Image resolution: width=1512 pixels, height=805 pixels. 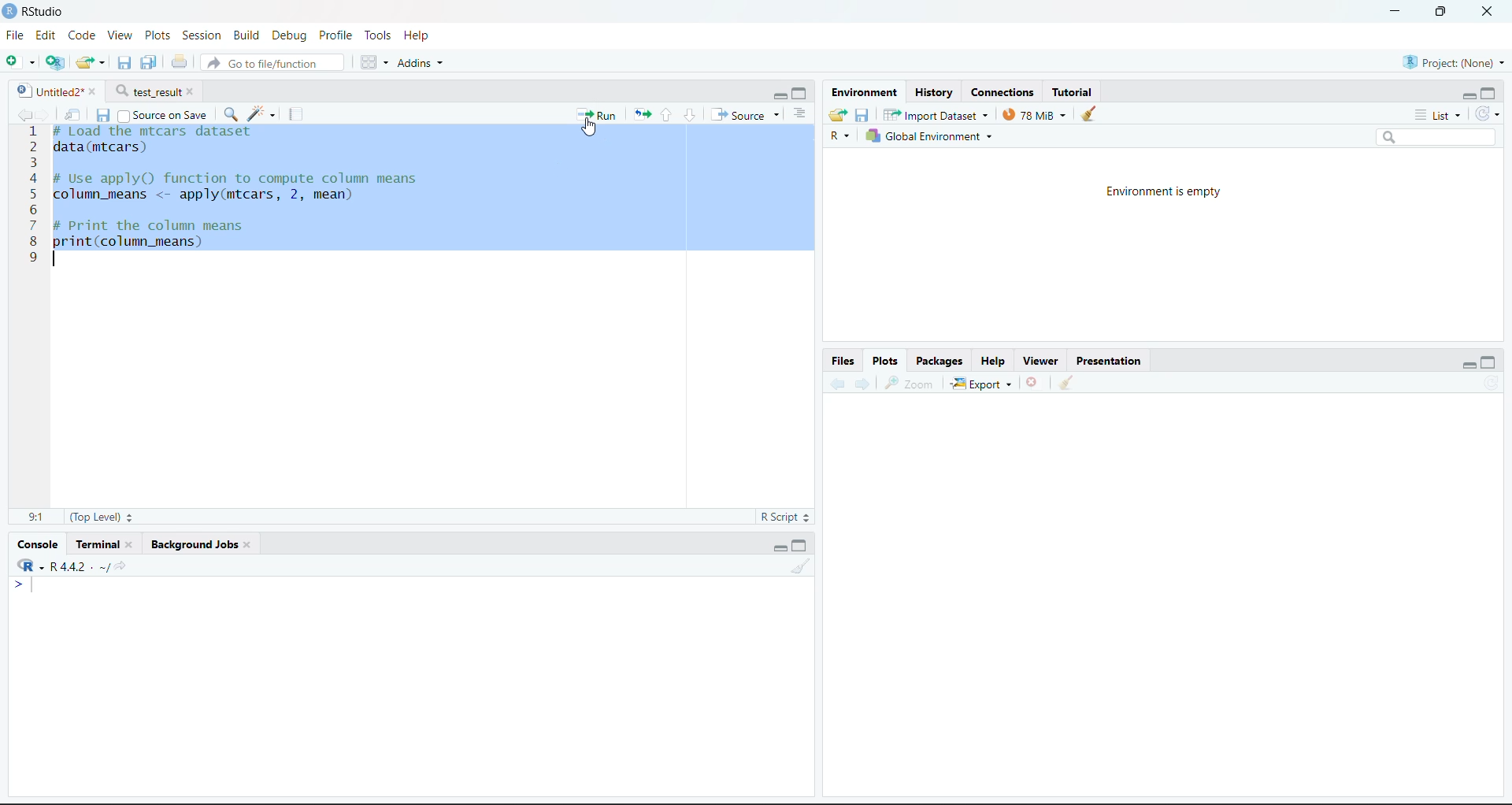 What do you see at coordinates (1097, 114) in the screenshot?
I see `Clear console (Ctrl +L)` at bounding box center [1097, 114].